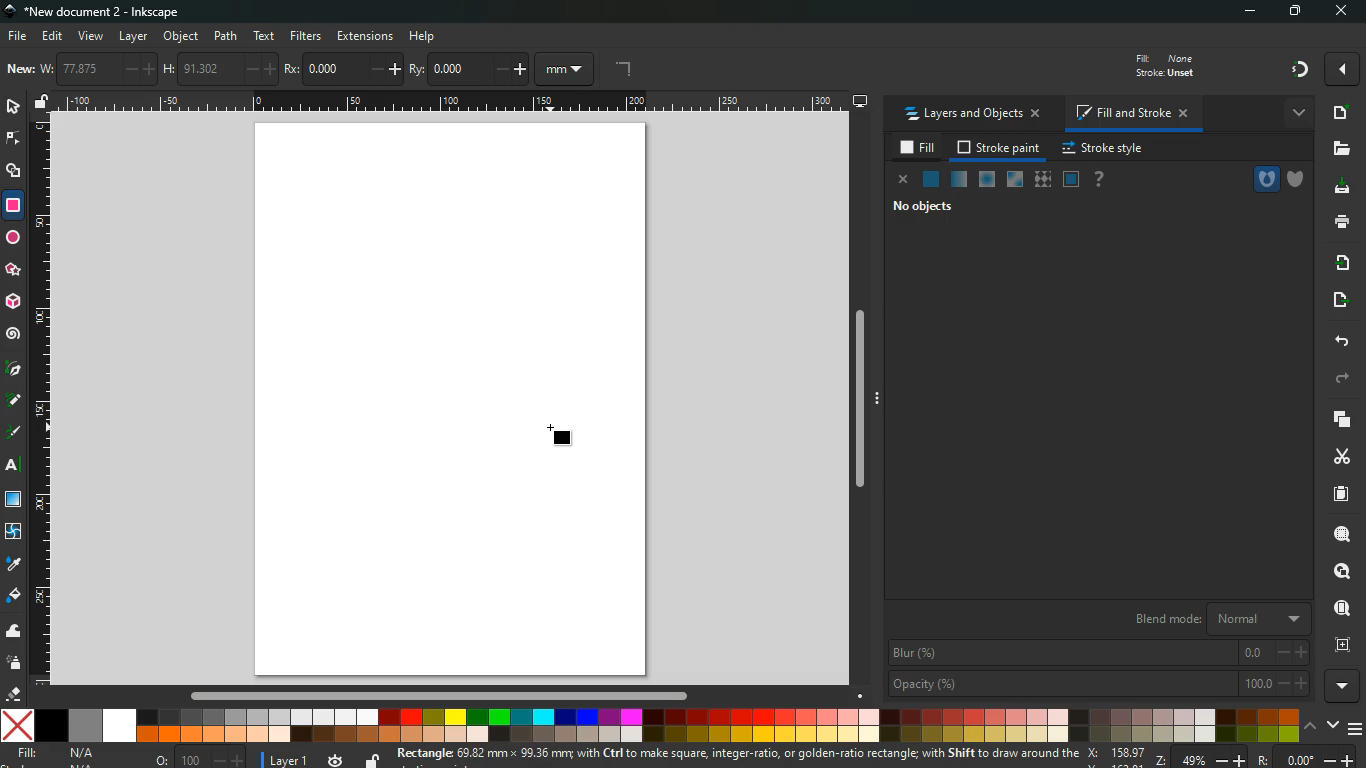 The height and width of the screenshot is (768, 1366). What do you see at coordinates (12, 631) in the screenshot?
I see `wave` at bounding box center [12, 631].